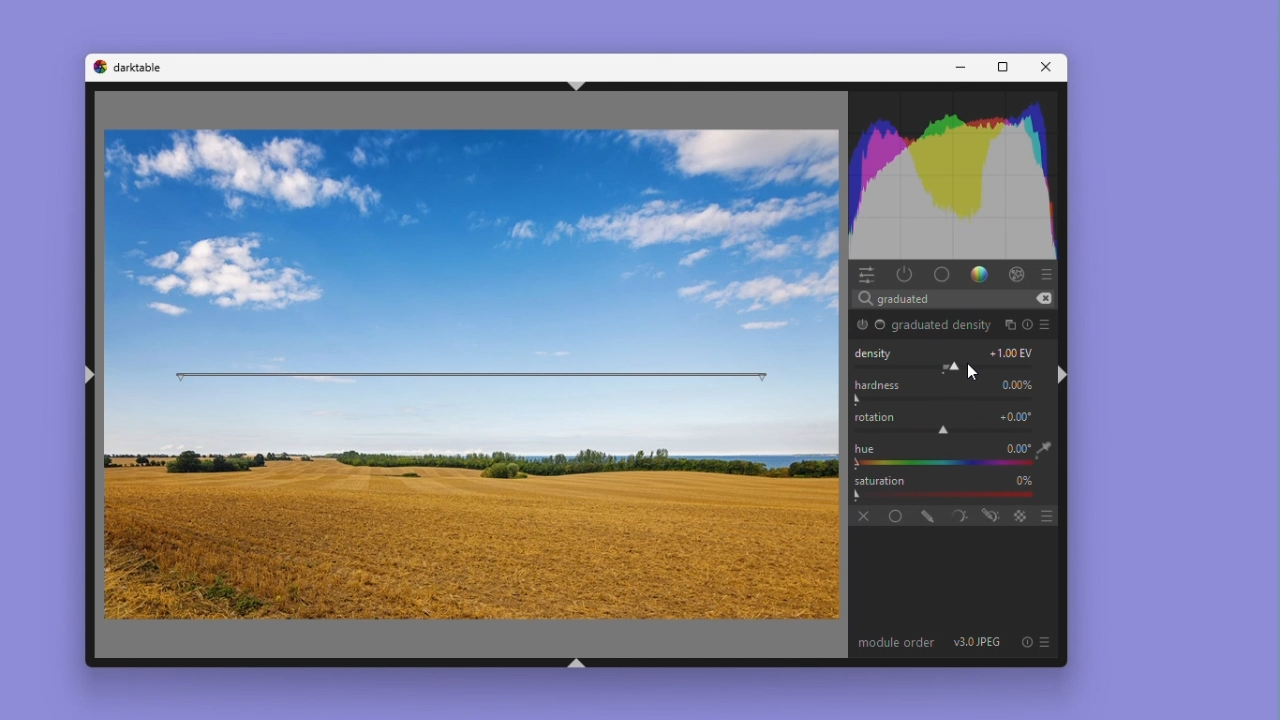  What do you see at coordinates (952, 400) in the screenshot?
I see `Rotation` at bounding box center [952, 400].